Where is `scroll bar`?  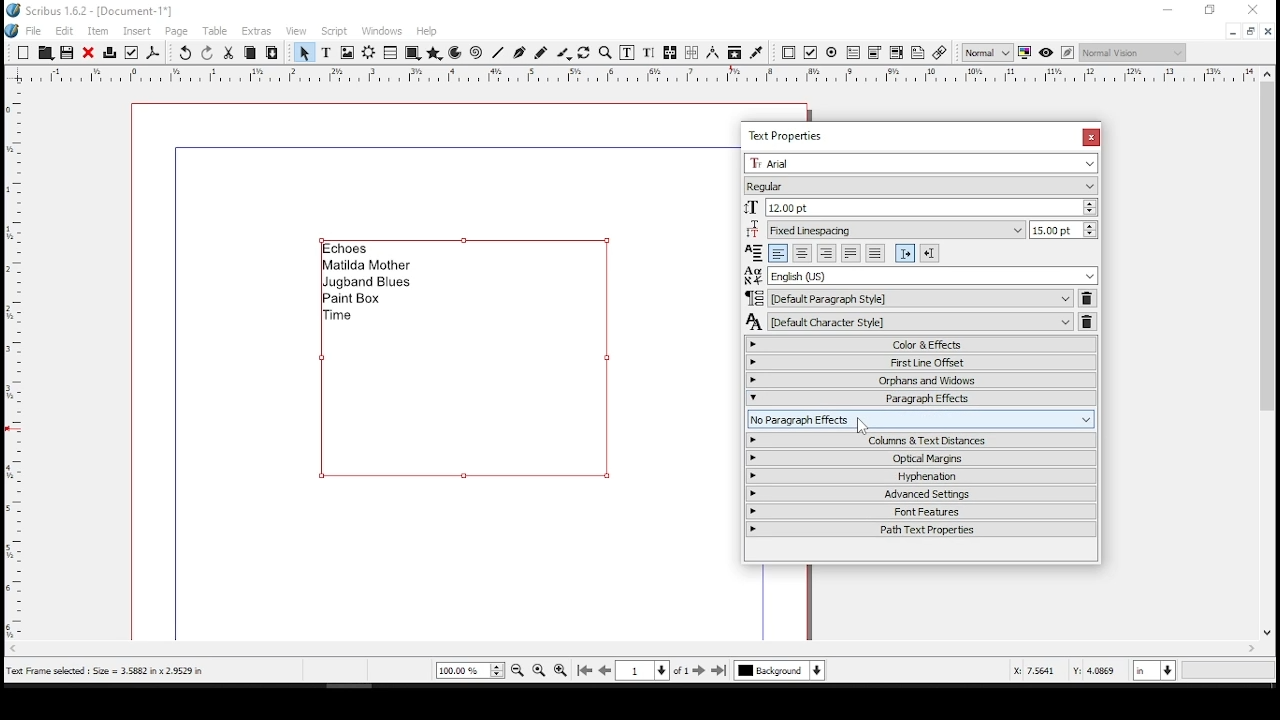
scroll bar is located at coordinates (1265, 362).